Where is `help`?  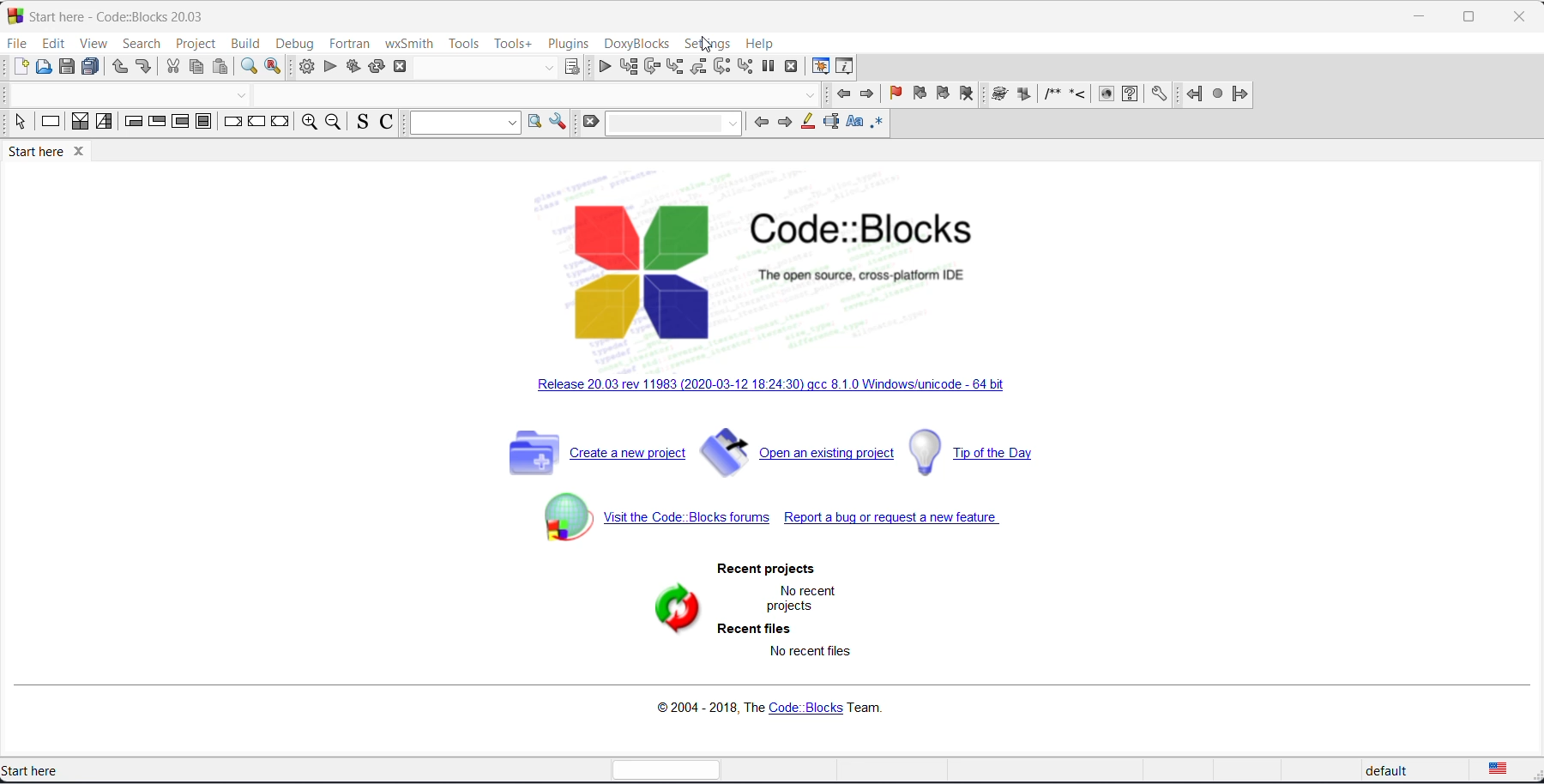 help is located at coordinates (762, 45).